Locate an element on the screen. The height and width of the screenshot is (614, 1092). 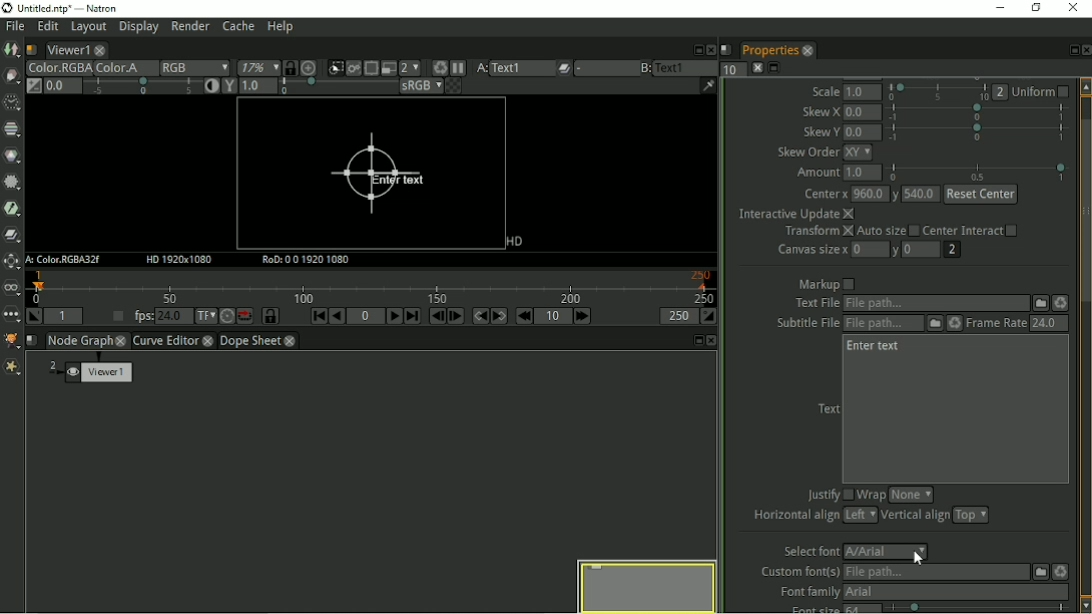
Skew Y is located at coordinates (820, 132).